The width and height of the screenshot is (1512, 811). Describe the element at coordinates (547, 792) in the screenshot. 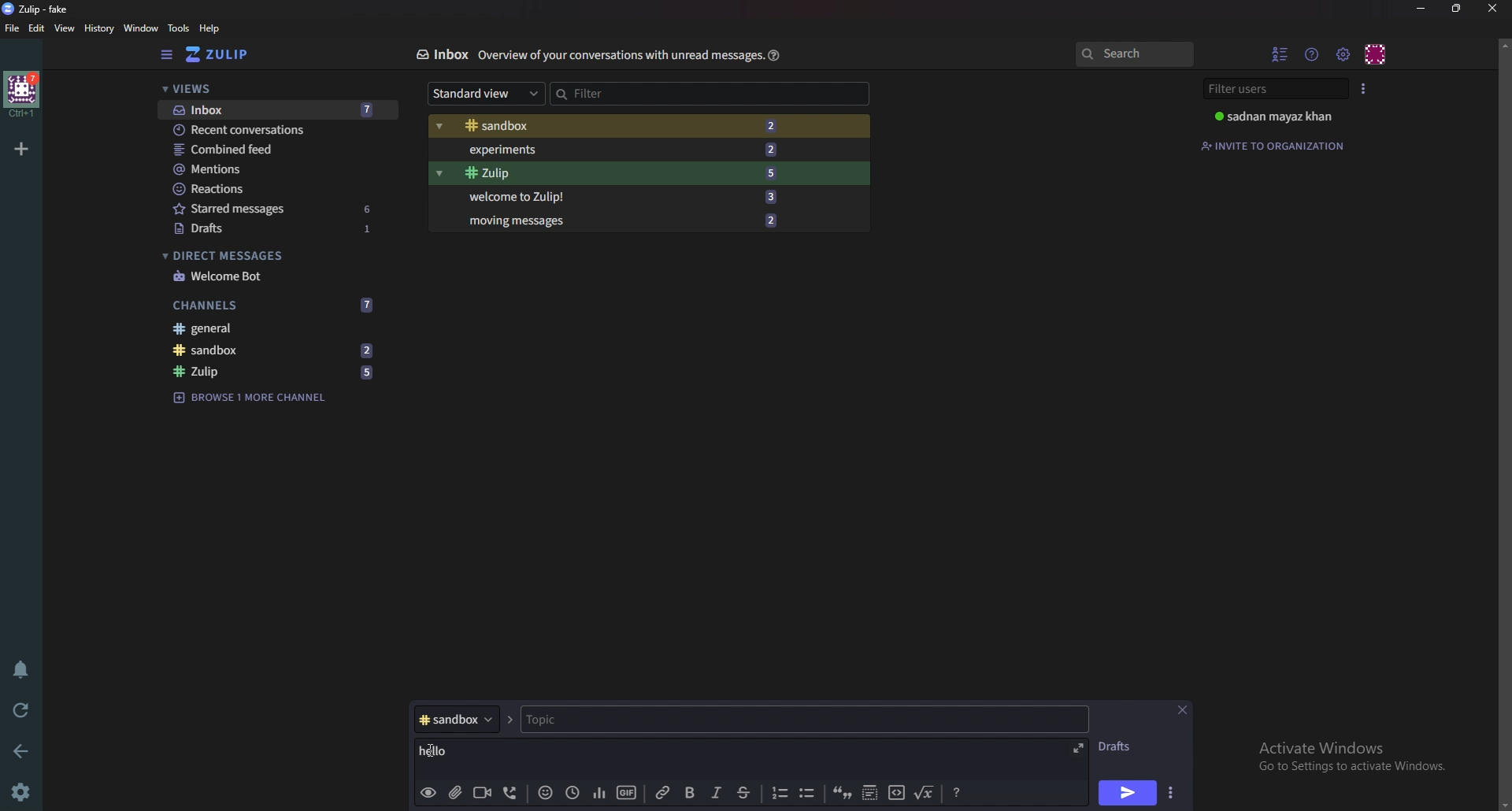

I see `Emoji` at that location.